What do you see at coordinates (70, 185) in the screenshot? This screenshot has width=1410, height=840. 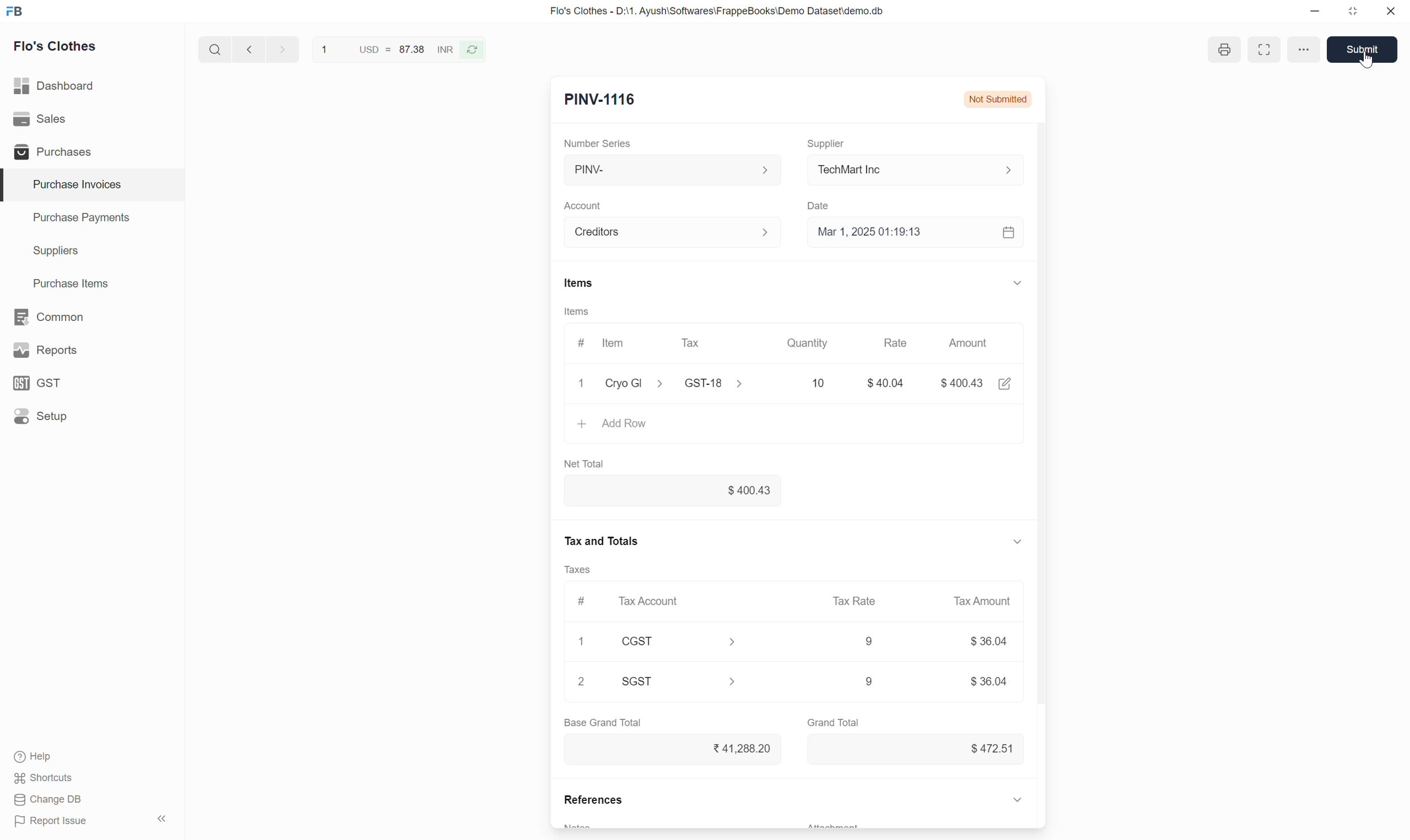 I see `Purchase Invoices` at bounding box center [70, 185].